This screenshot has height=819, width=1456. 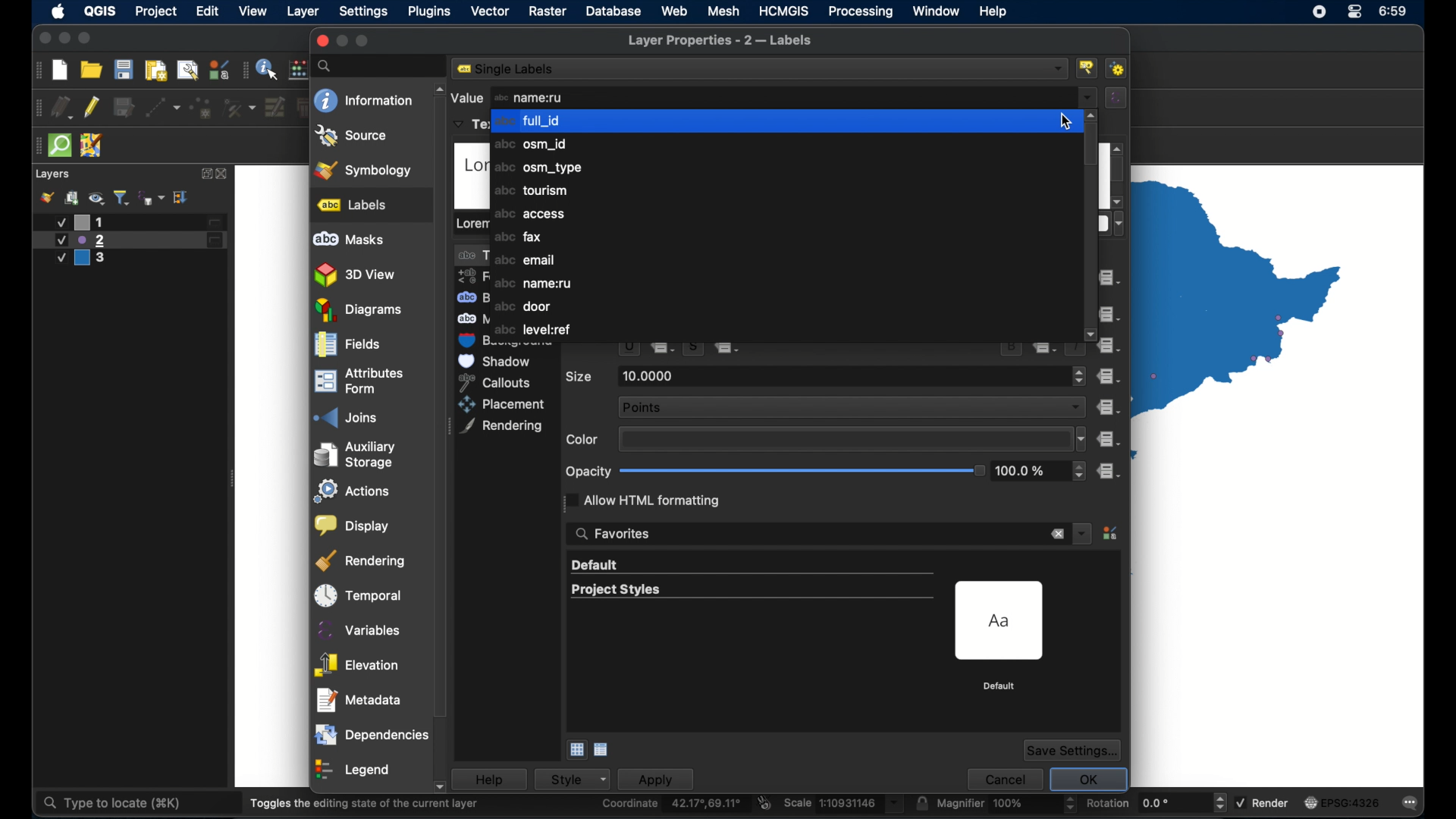 What do you see at coordinates (516, 236) in the screenshot?
I see `fax` at bounding box center [516, 236].